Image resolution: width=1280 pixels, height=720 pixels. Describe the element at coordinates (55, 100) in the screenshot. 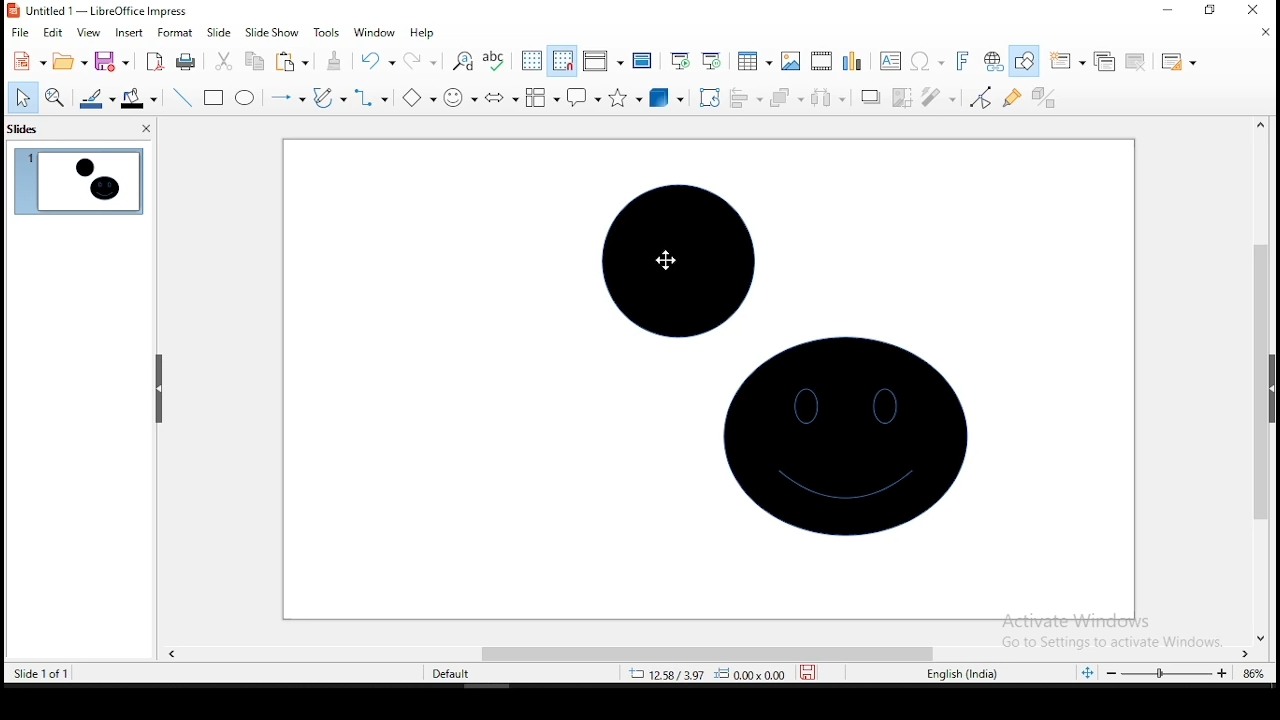

I see `zoom and pan` at that location.